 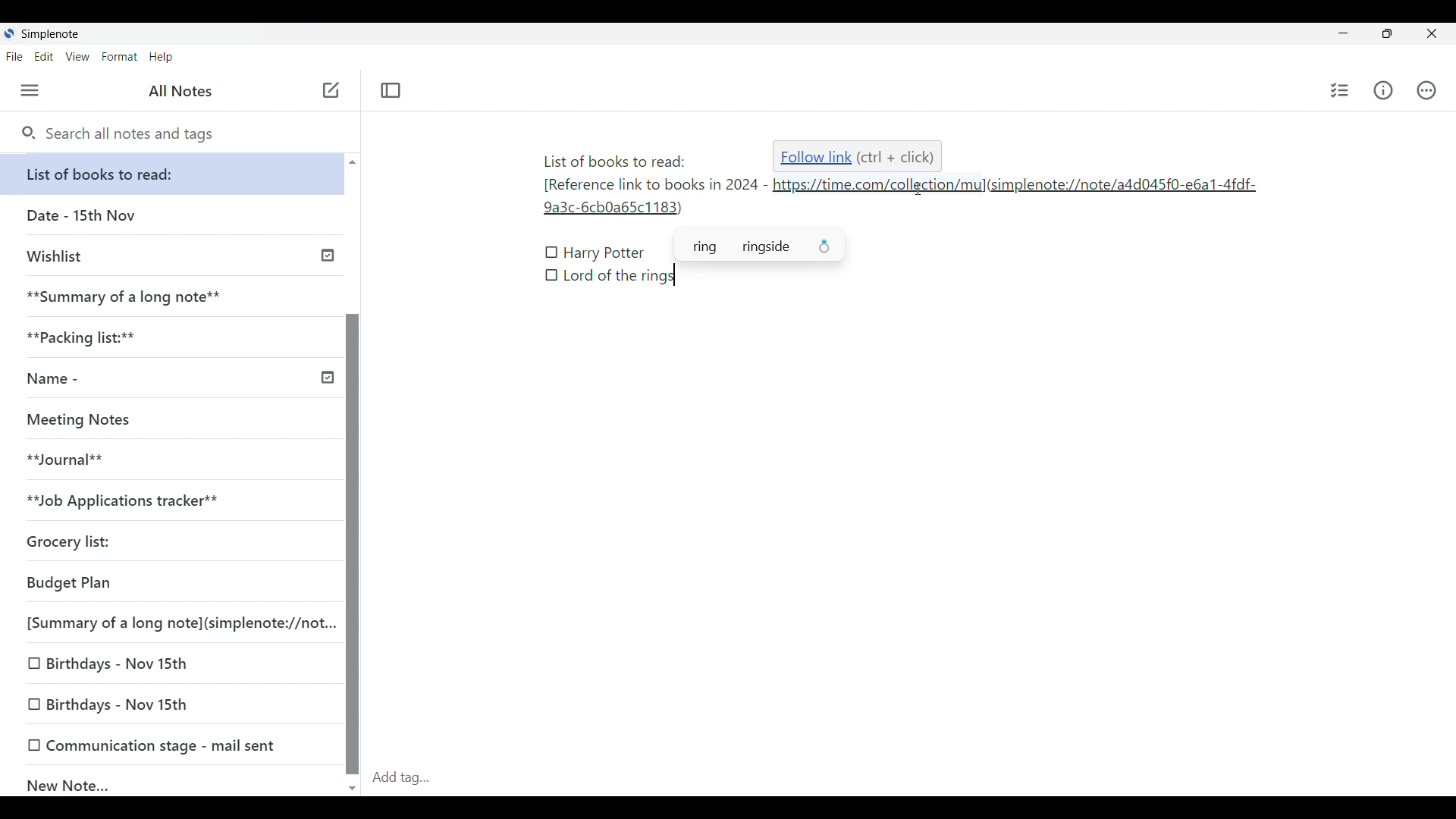 I want to click on List of books to read:, so click(x=614, y=160).